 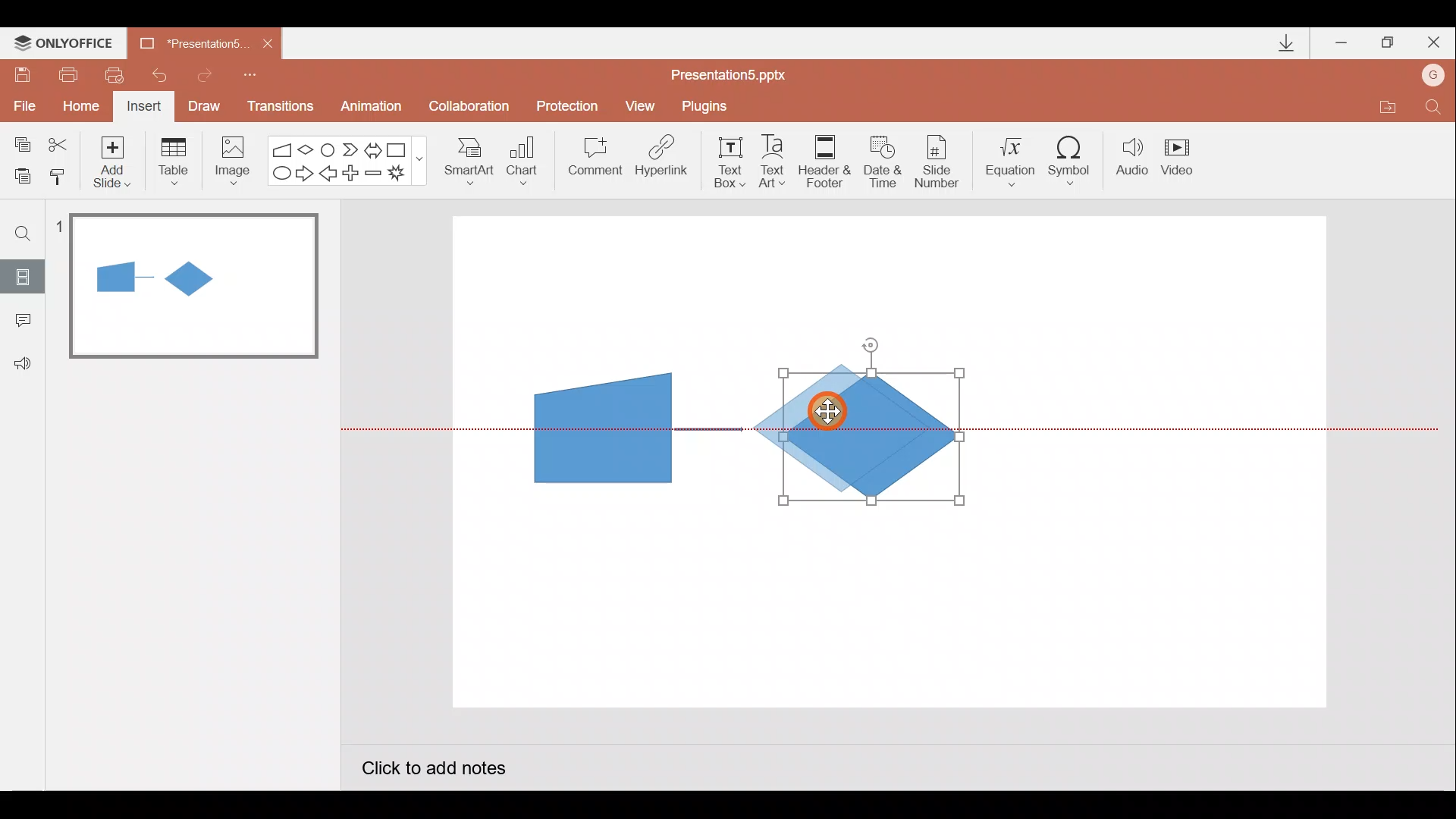 What do you see at coordinates (21, 102) in the screenshot?
I see `File` at bounding box center [21, 102].